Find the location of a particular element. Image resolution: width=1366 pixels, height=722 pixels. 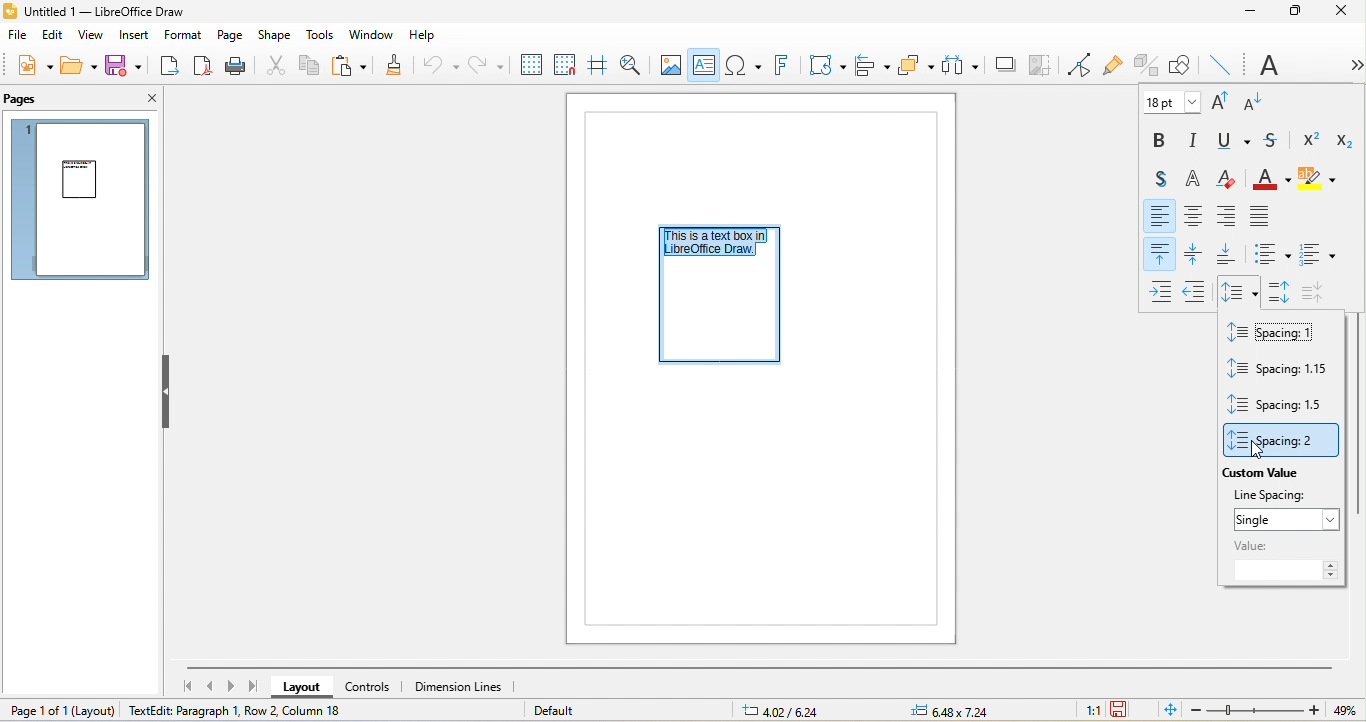

title is located at coordinates (107, 12).